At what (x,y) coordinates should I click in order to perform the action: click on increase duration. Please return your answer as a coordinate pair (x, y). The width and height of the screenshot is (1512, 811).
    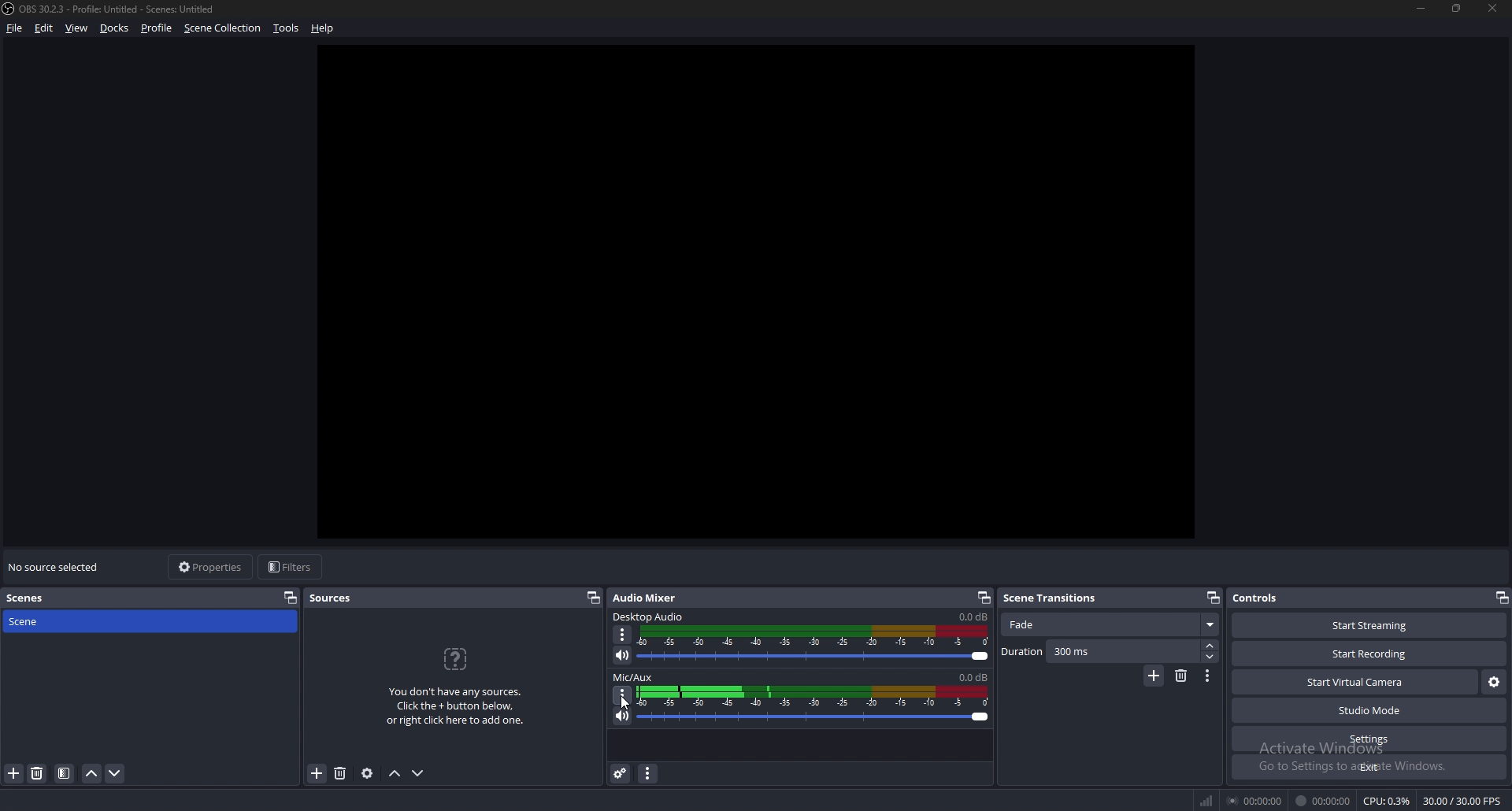
    Looking at the image, I should click on (1210, 645).